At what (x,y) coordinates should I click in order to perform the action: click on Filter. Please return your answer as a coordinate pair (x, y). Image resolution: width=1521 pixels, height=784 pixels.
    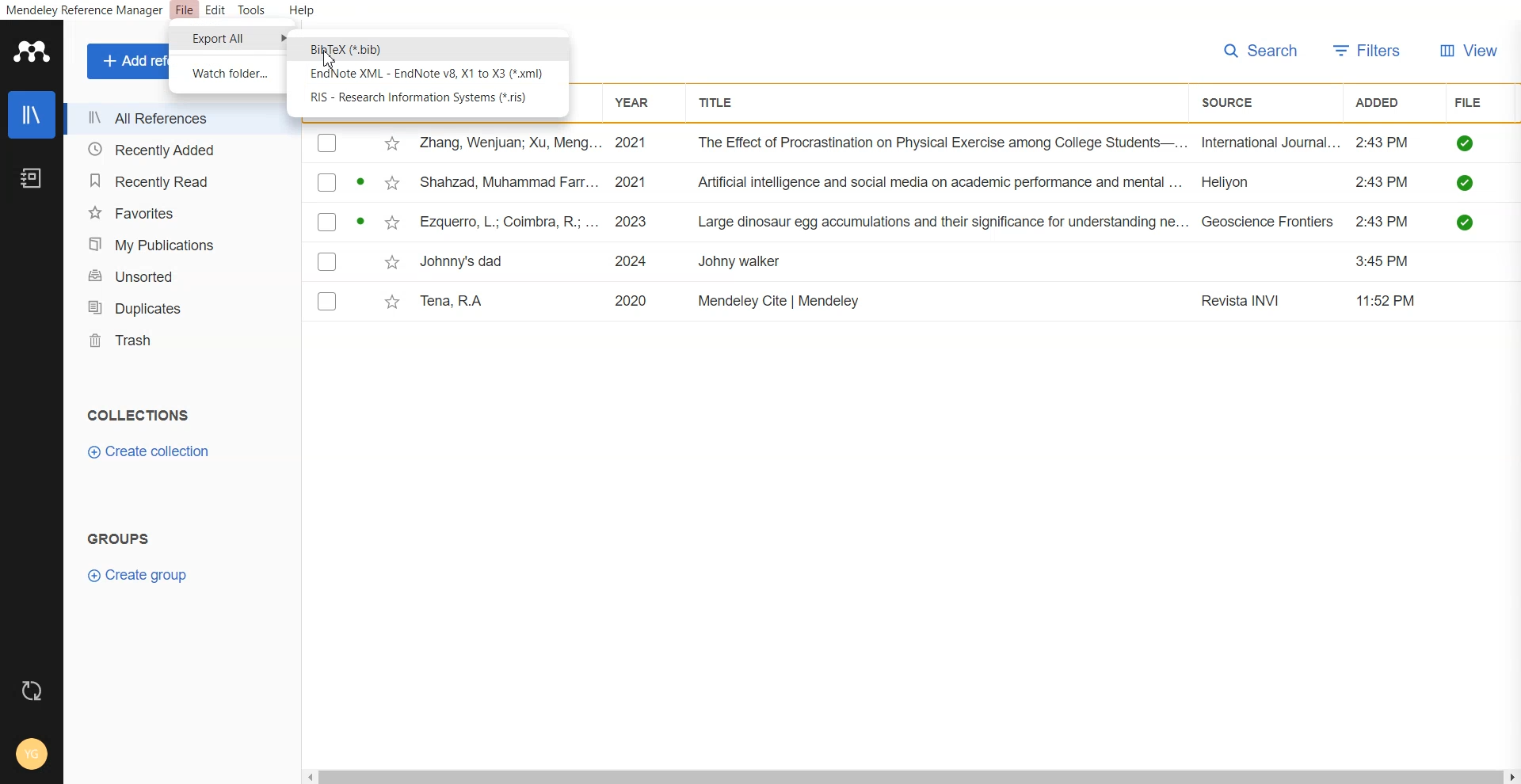
    Looking at the image, I should click on (1368, 51).